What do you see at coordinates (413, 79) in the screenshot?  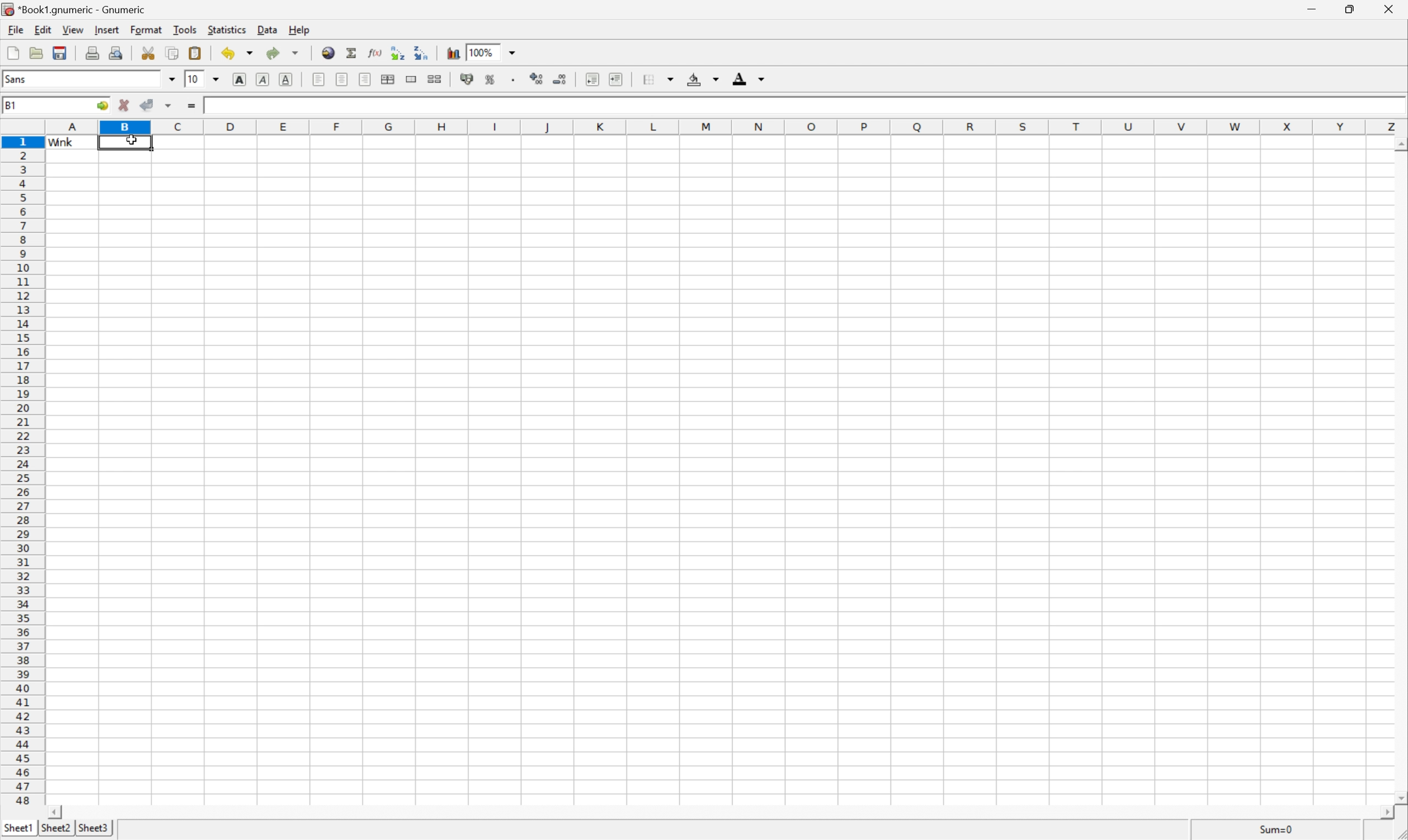 I see `split range of cells` at bounding box center [413, 79].